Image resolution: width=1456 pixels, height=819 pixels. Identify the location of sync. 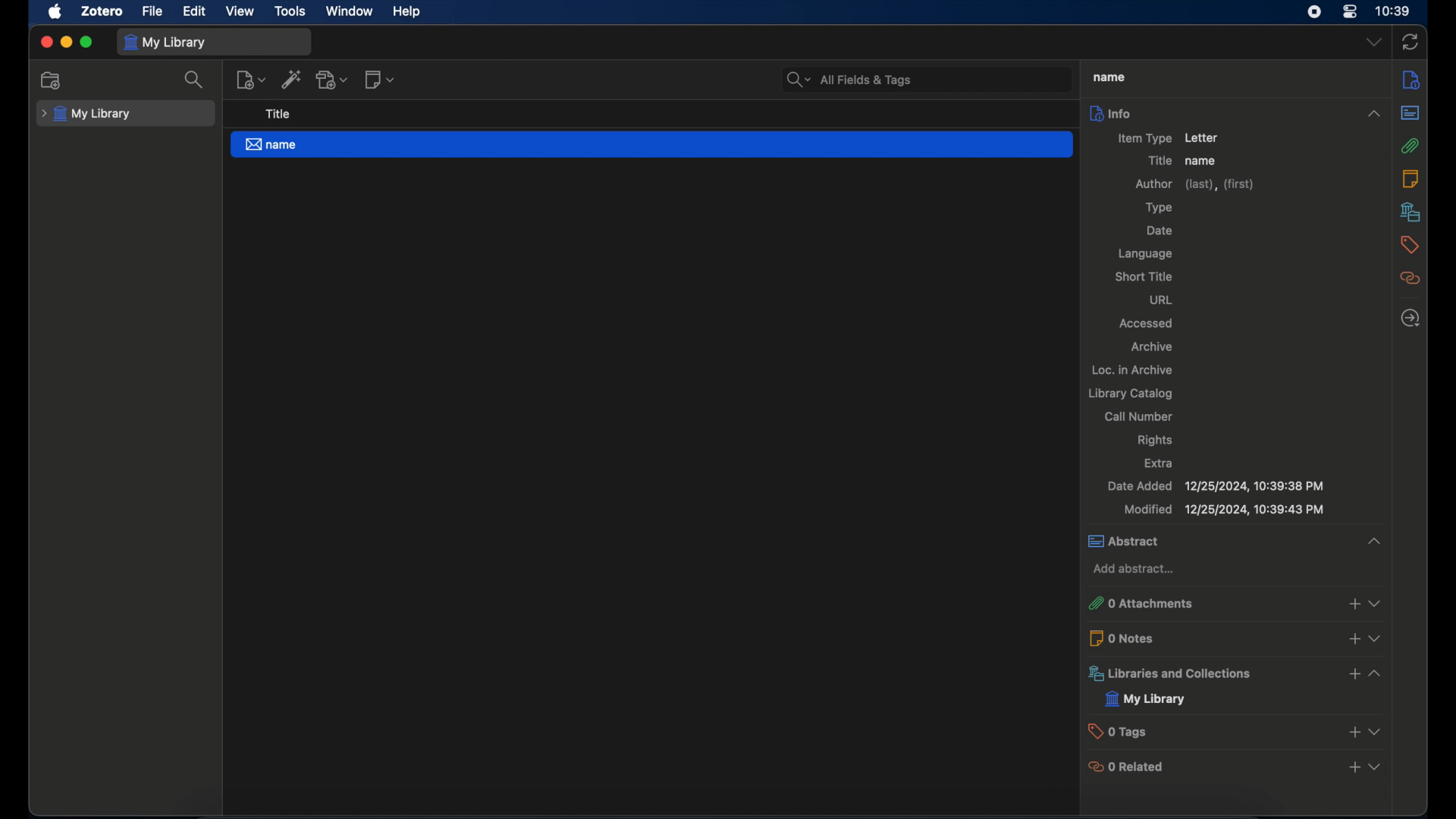
(1411, 42).